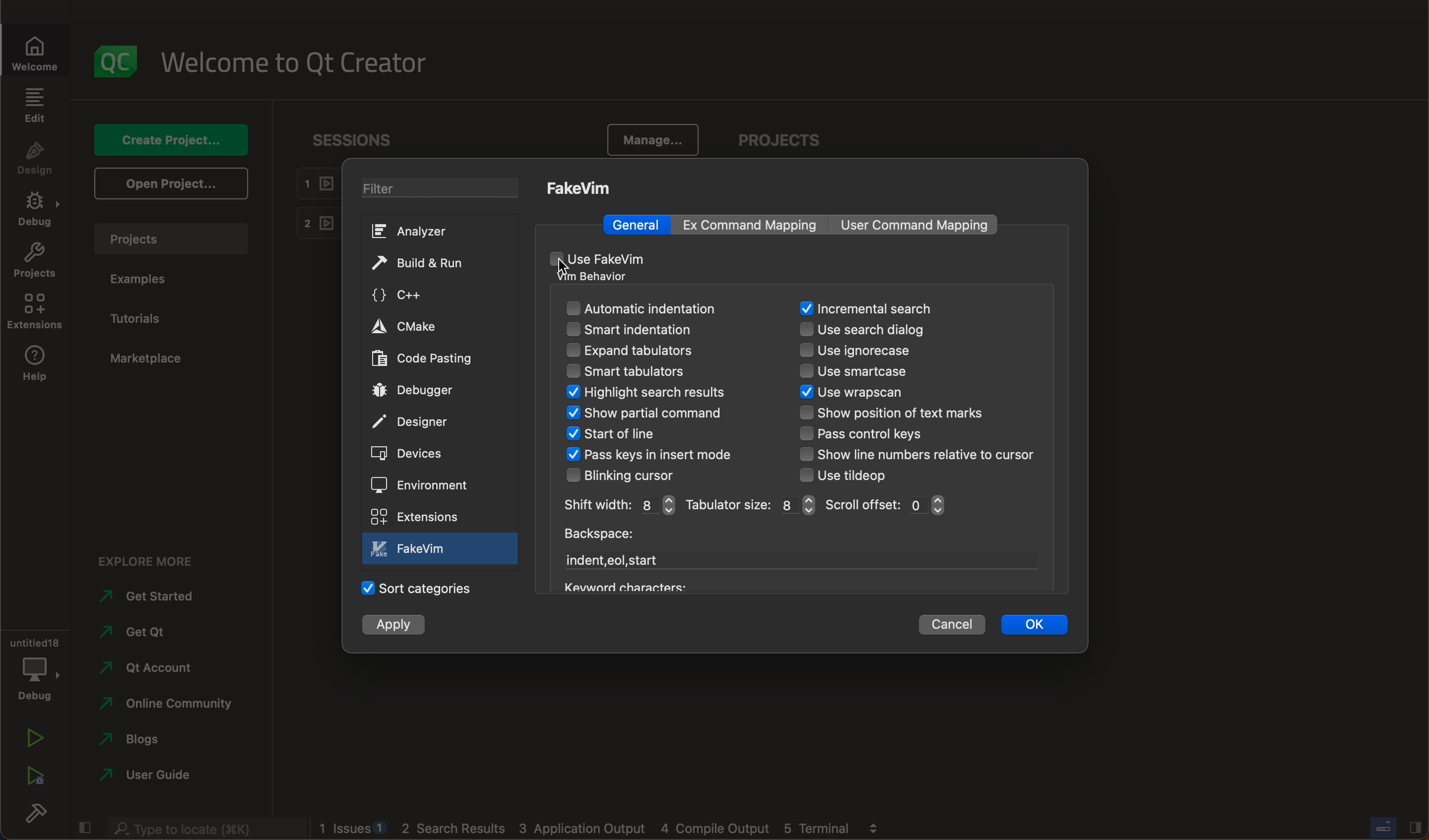  What do you see at coordinates (35, 815) in the screenshot?
I see `build` at bounding box center [35, 815].